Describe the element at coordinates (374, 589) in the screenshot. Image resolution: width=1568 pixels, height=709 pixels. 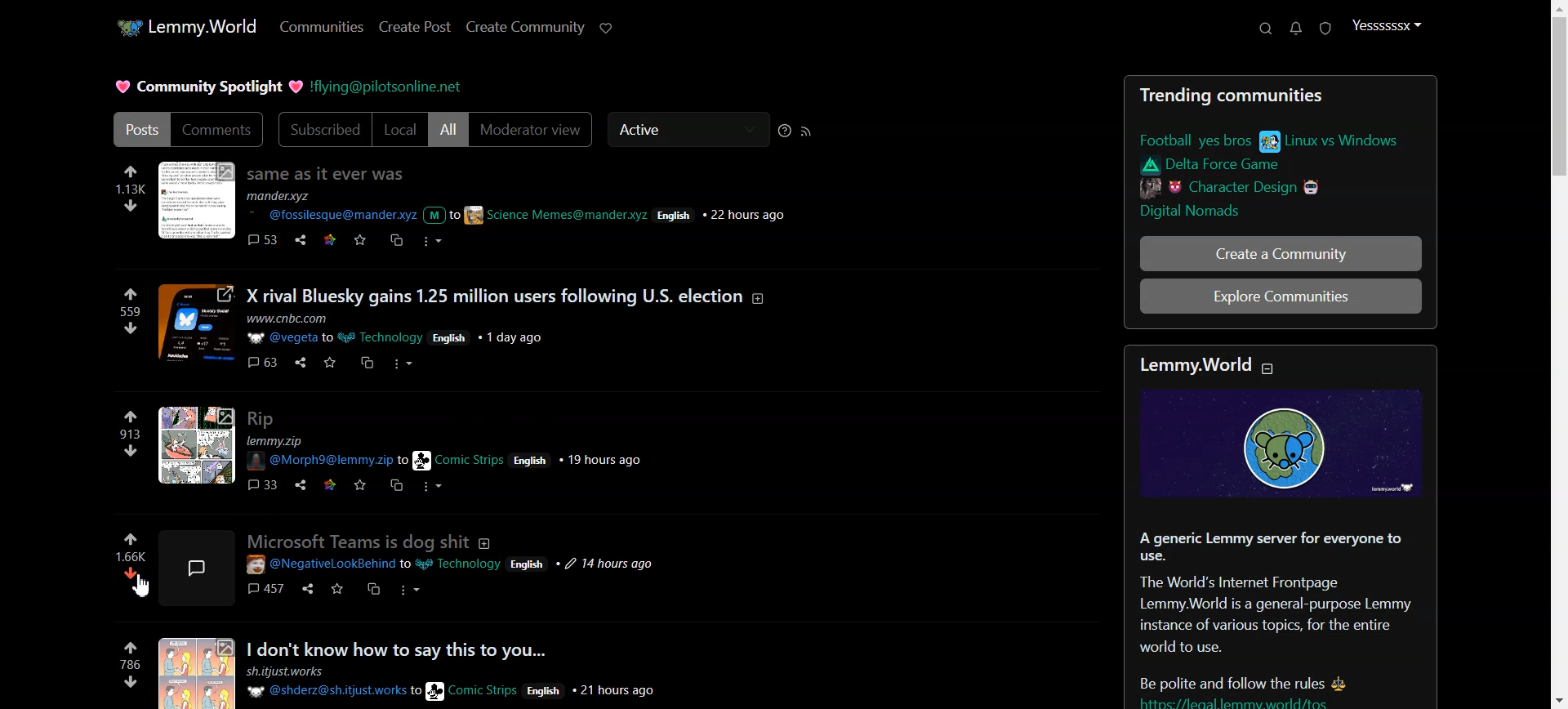
I see `Copy` at that location.